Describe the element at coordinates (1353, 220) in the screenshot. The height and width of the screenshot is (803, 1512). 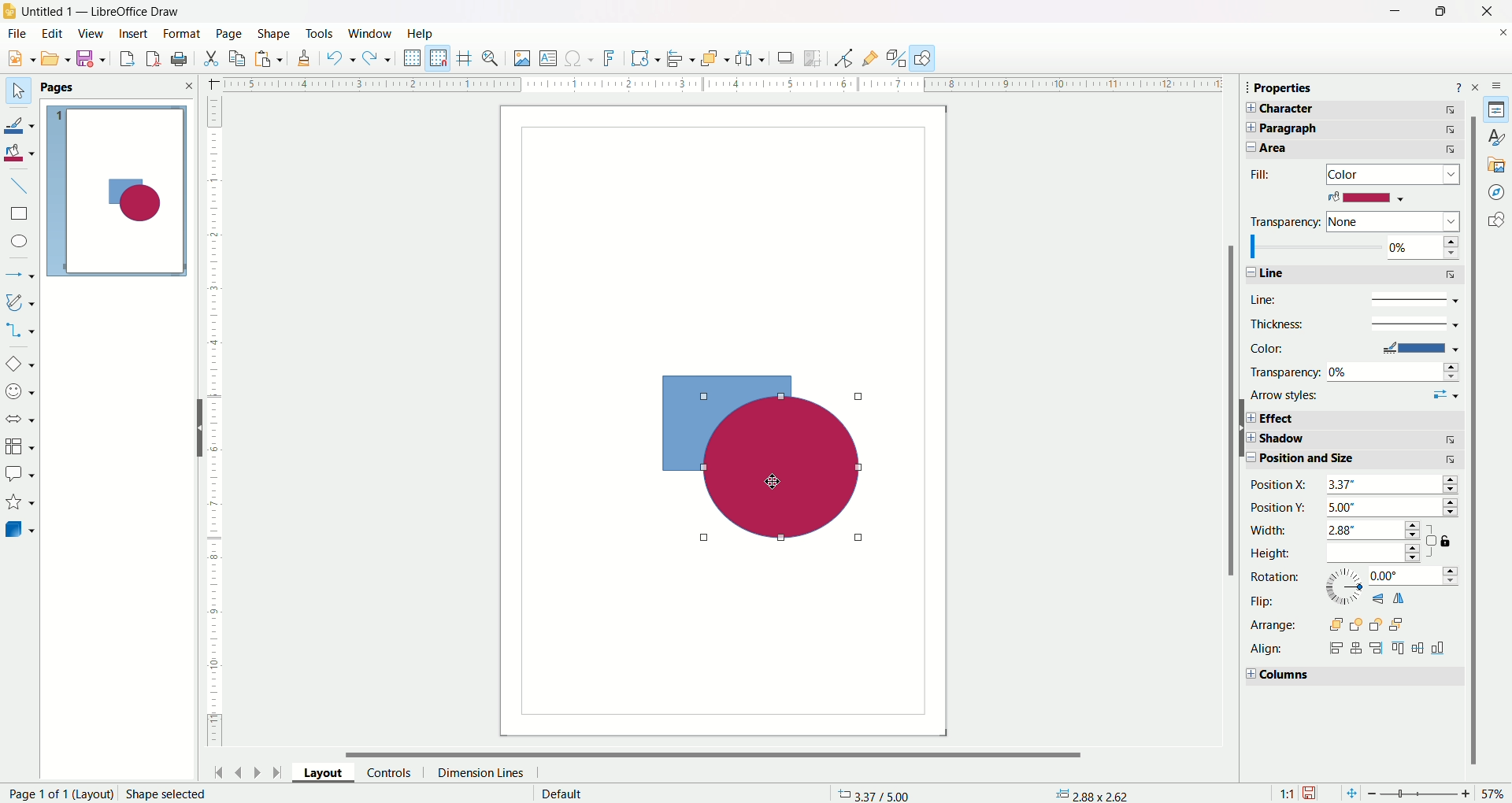
I see `transparency` at that location.